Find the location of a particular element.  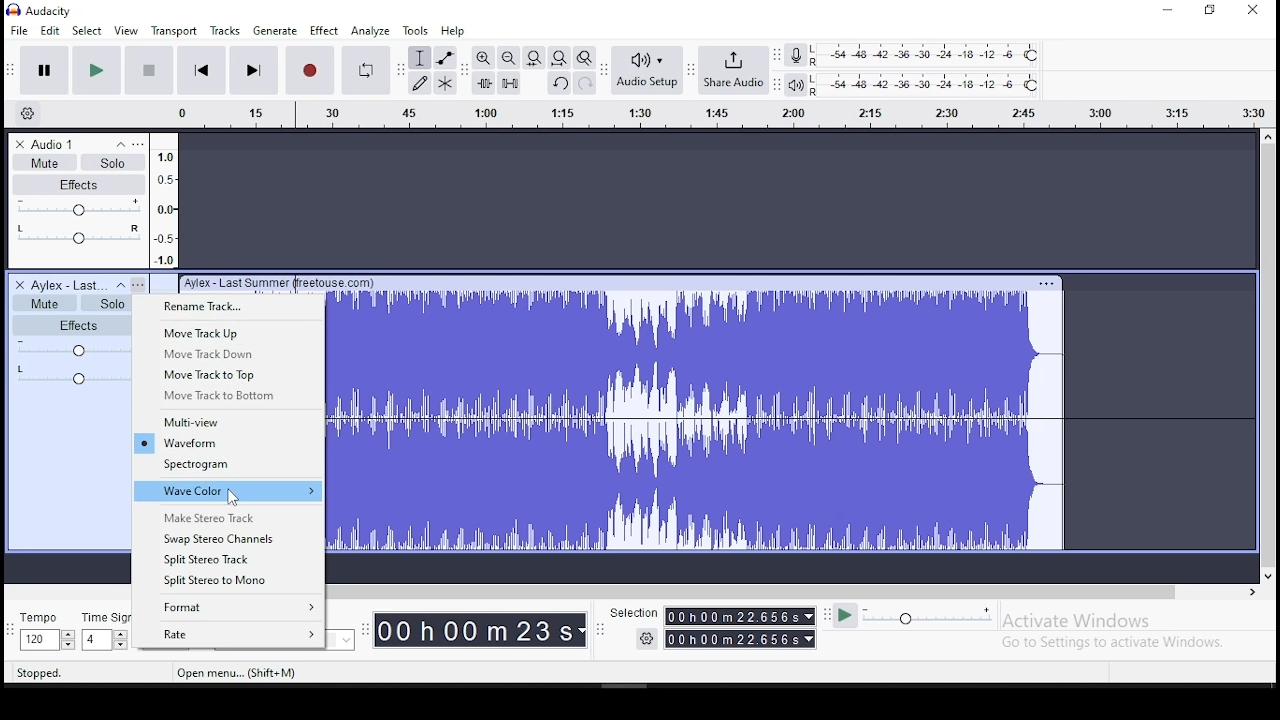

collapse is located at coordinates (120, 285).